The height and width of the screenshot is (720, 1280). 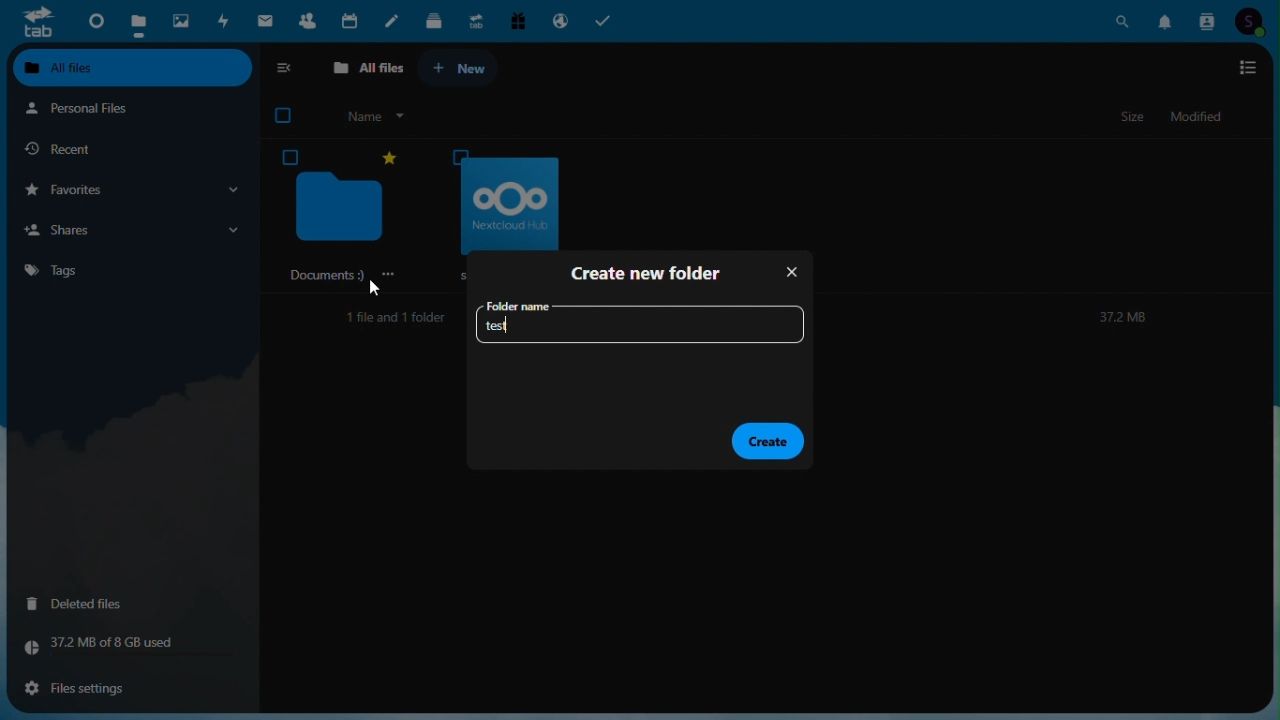 I want to click on All files, so click(x=128, y=67).